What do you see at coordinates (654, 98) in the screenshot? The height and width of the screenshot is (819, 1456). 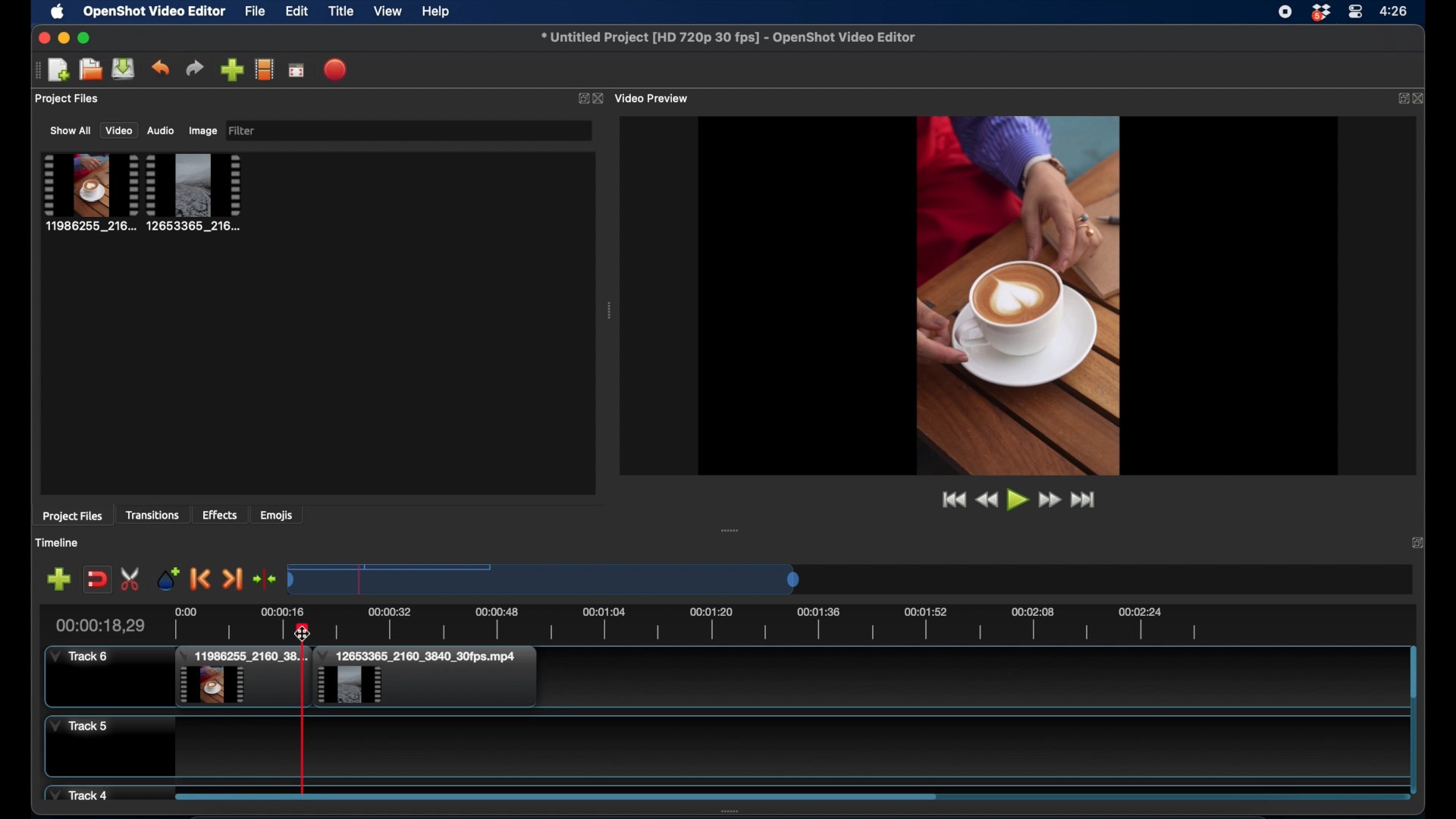 I see `video preview` at bounding box center [654, 98].